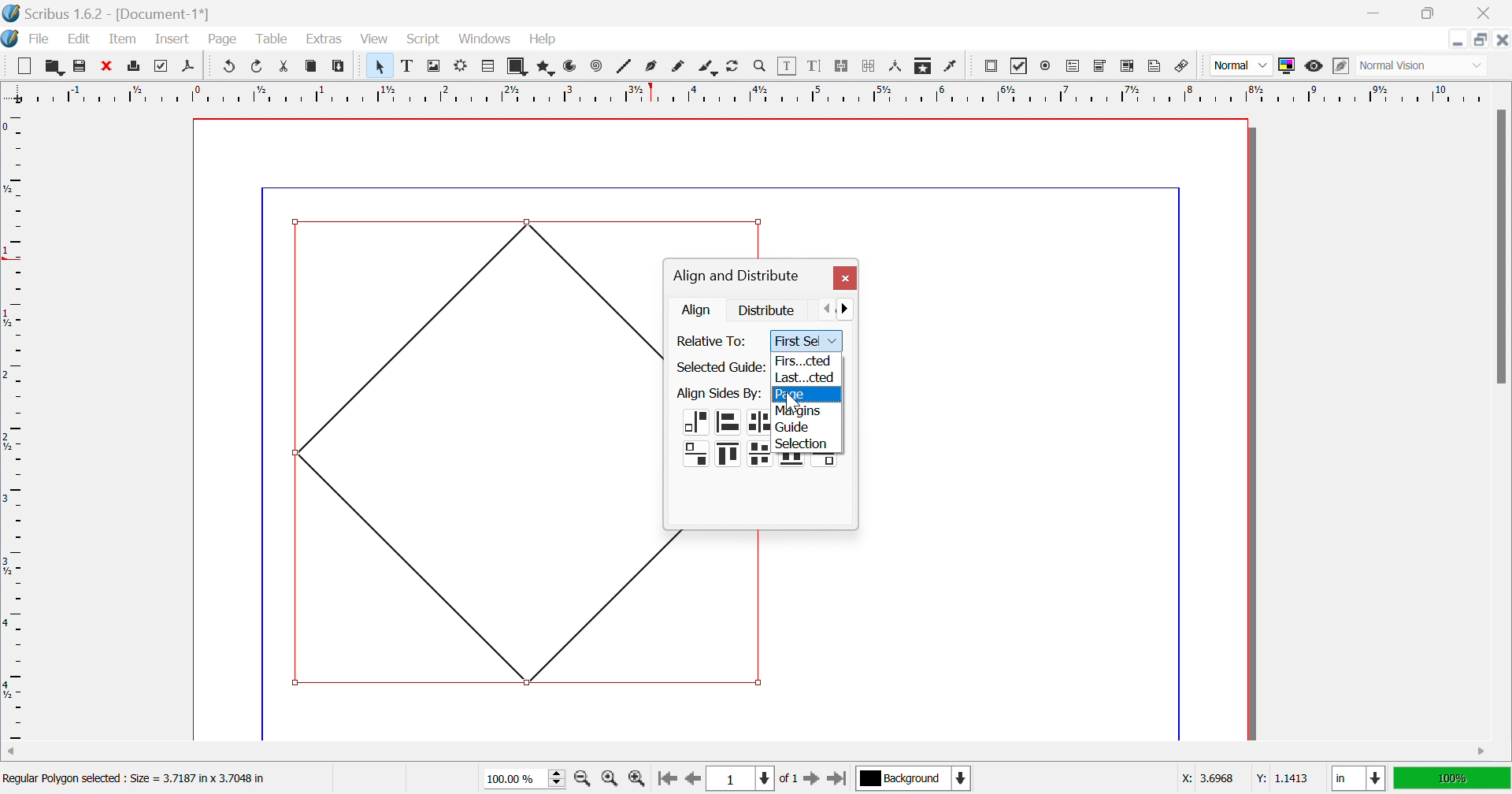 Image resolution: width=1512 pixels, height=794 pixels. I want to click on File, so click(40, 40).